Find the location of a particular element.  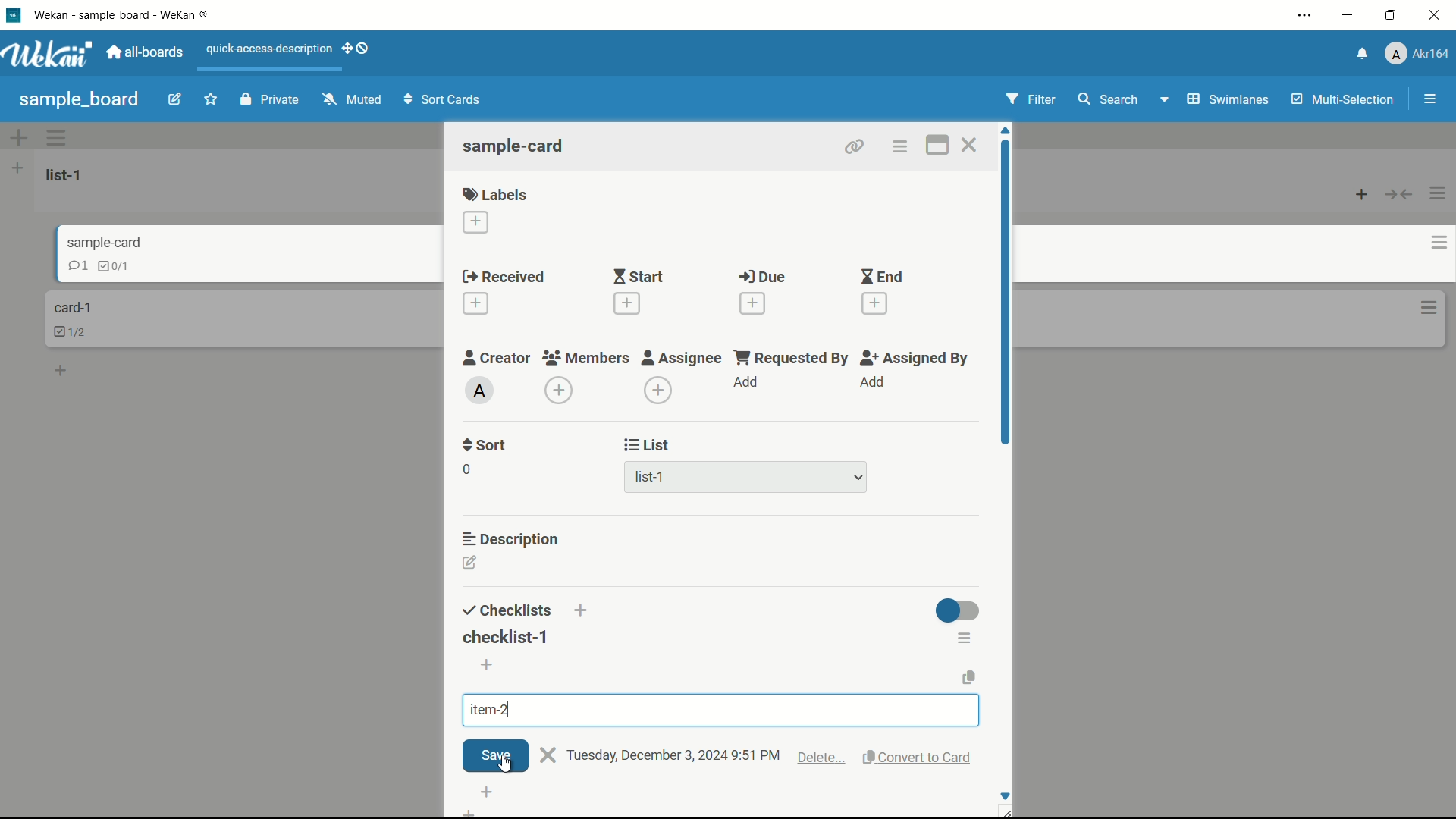

notifications is located at coordinates (1360, 55).